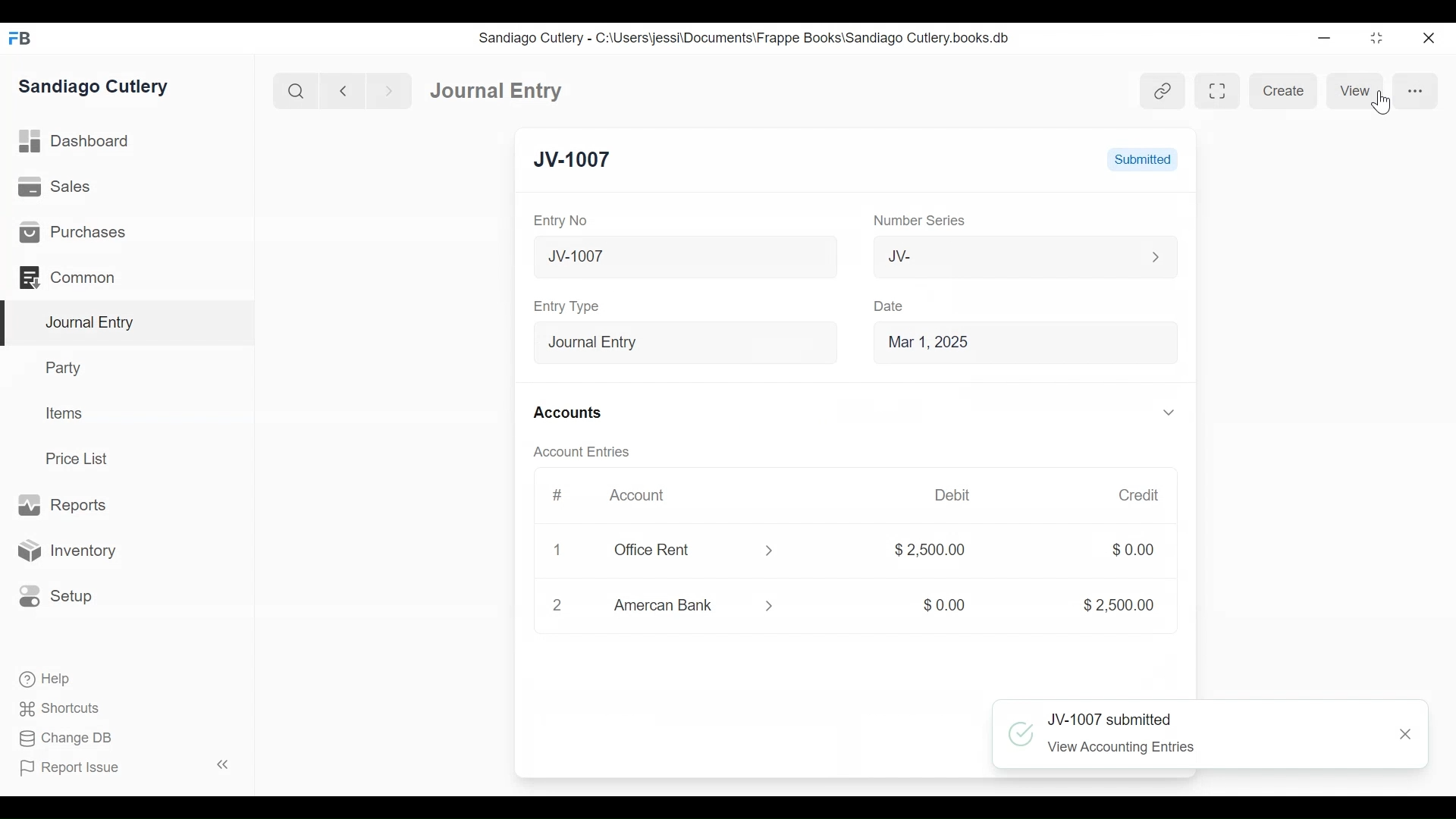 This screenshot has height=819, width=1456. I want to click on delete, so click(554, 607).